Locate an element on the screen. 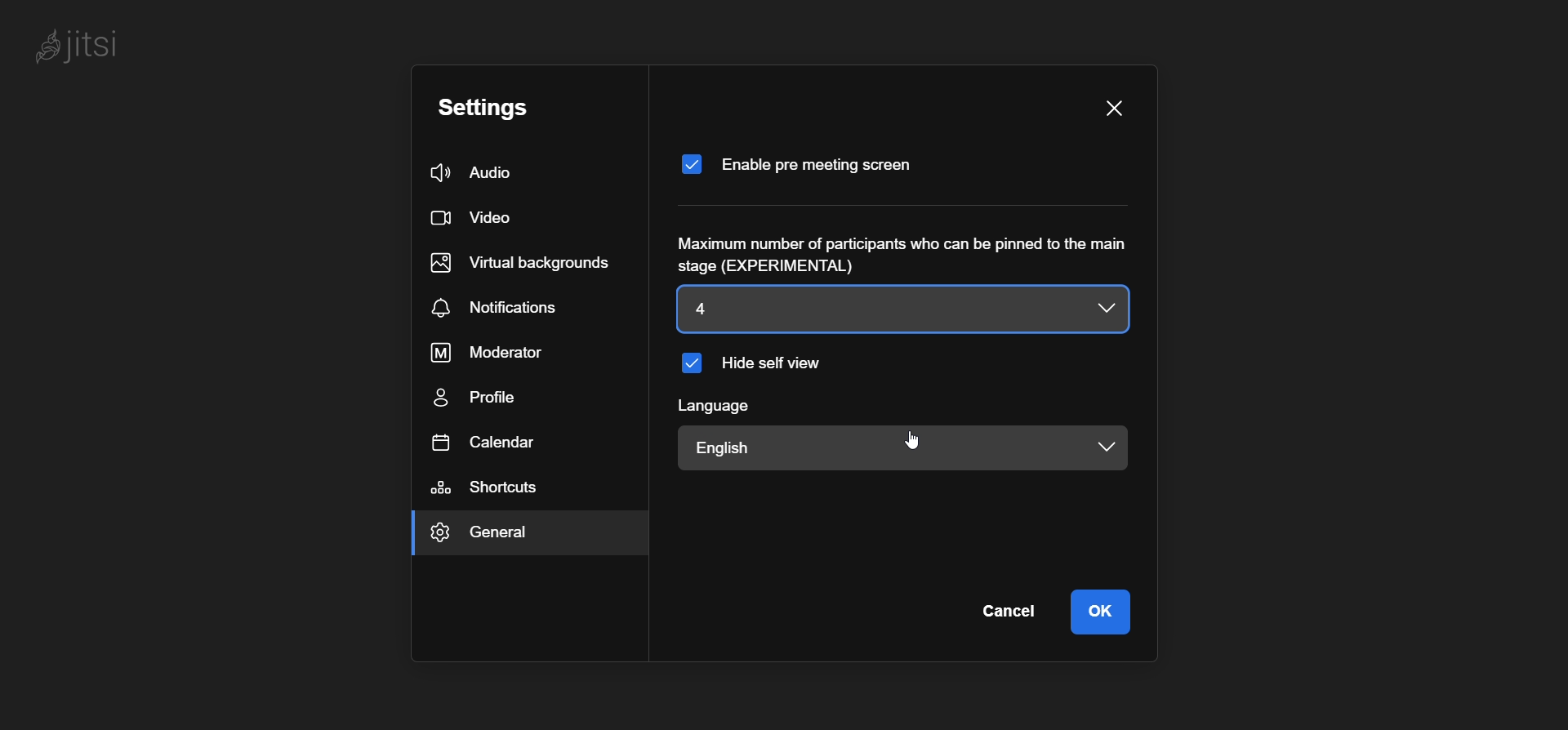 This screenshot has height=730, width=1568. setting is located at coordinates (485, 108).